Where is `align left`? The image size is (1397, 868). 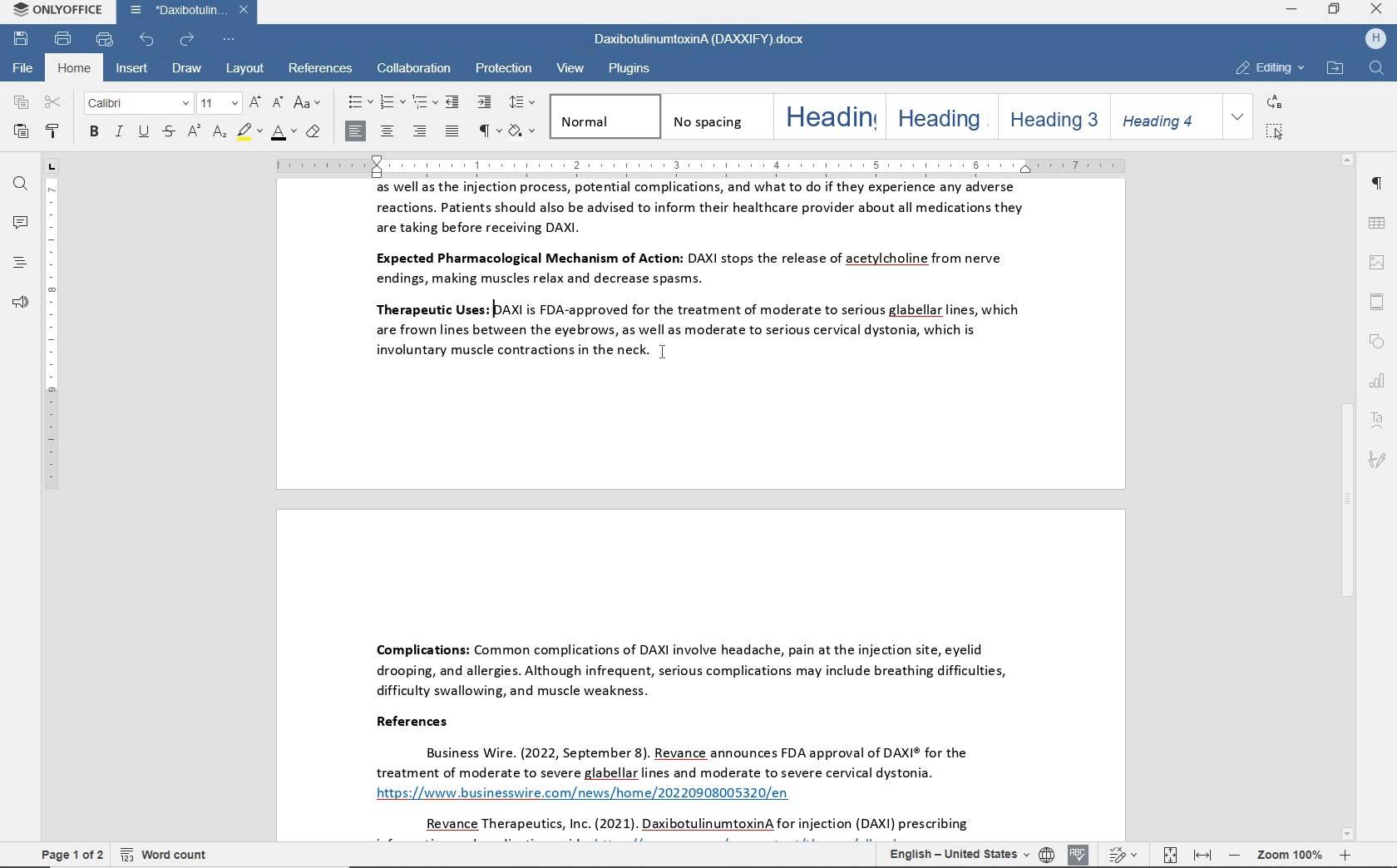
align left is located at coordinates (420, 131).